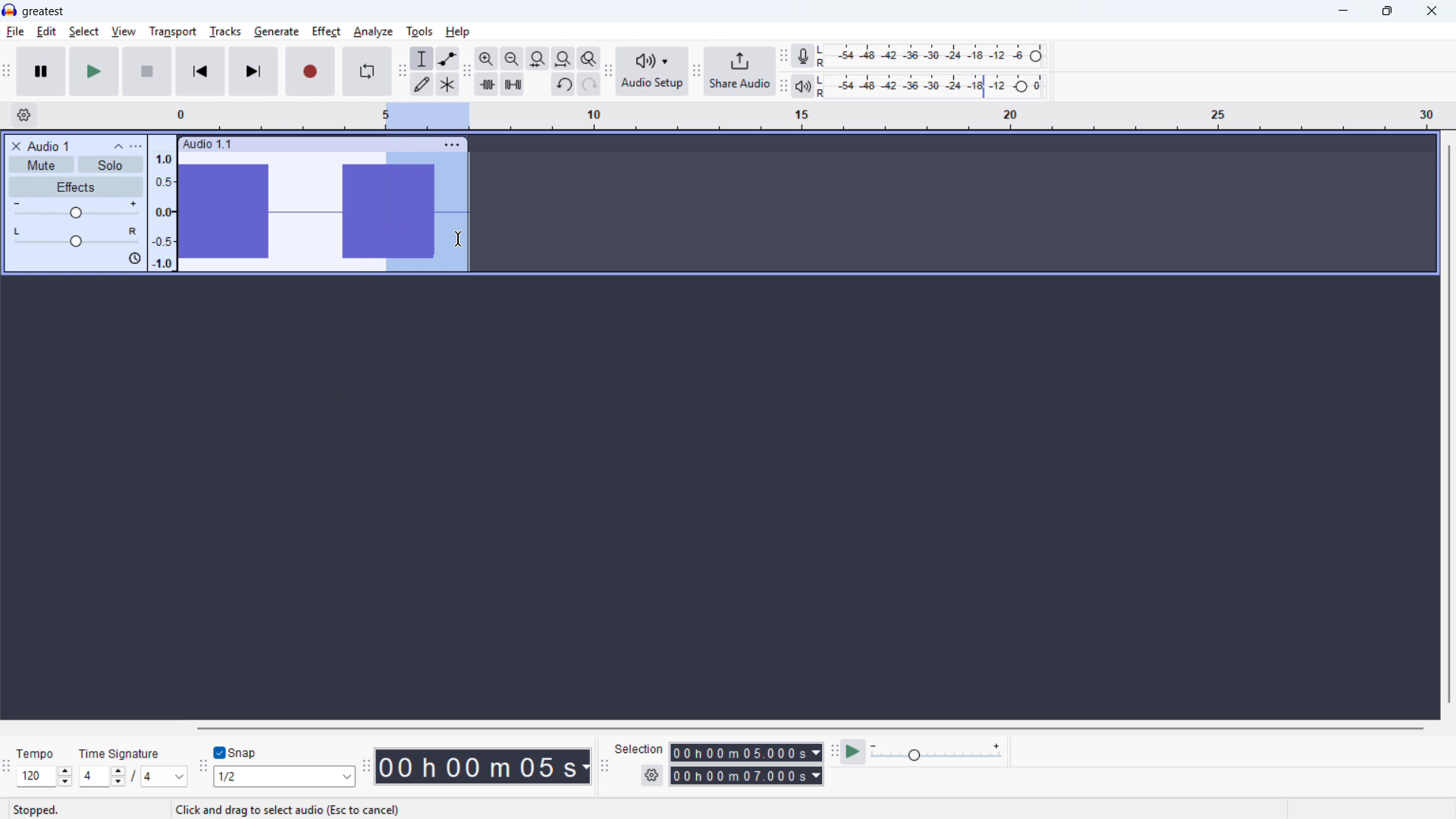  Describe the element at coordinates (422, 58) in the screenshot. I see `Selection tool ` at that location.